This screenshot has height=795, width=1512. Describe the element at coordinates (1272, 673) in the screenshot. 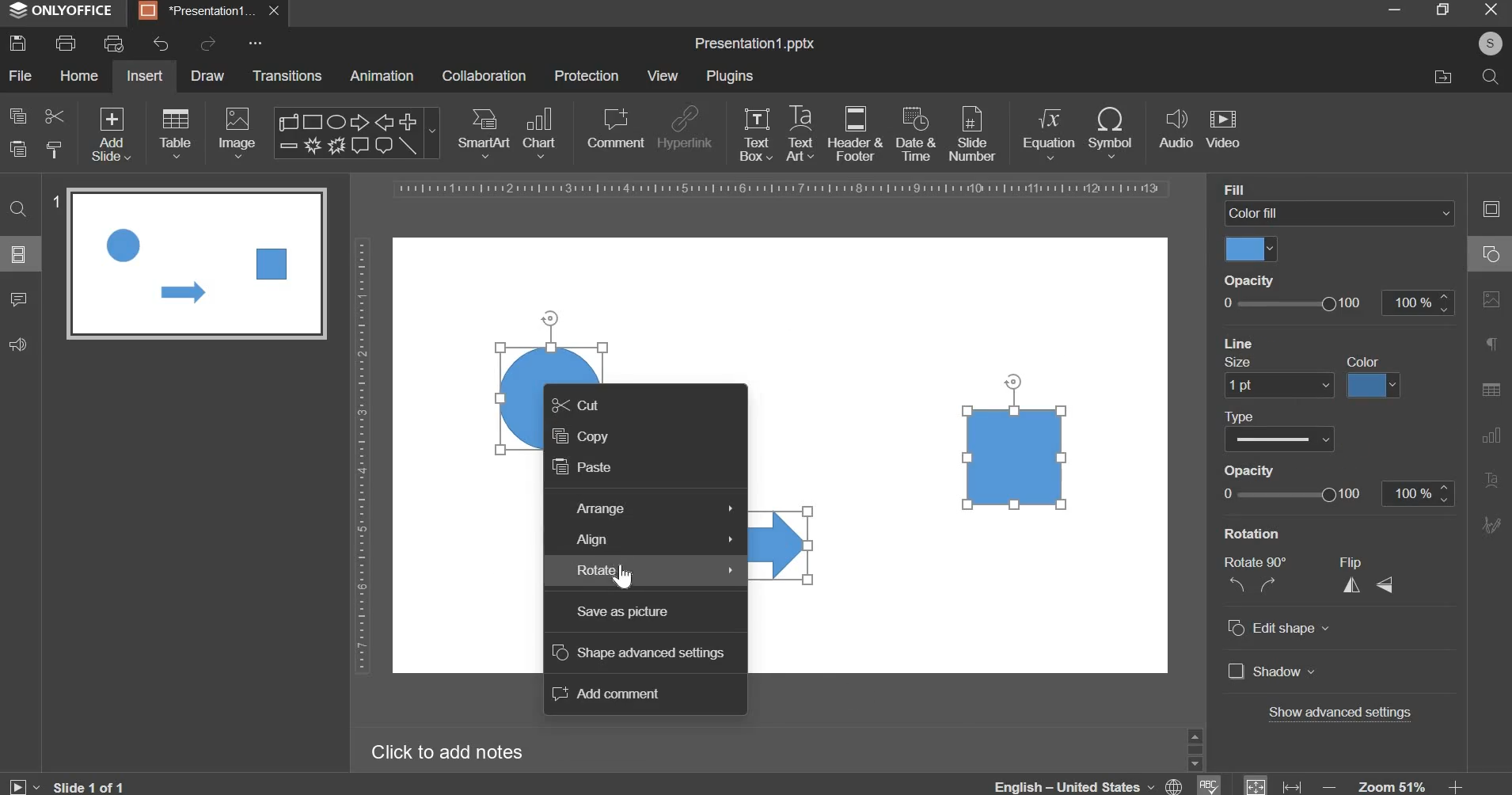

I see `shadow` at that location.